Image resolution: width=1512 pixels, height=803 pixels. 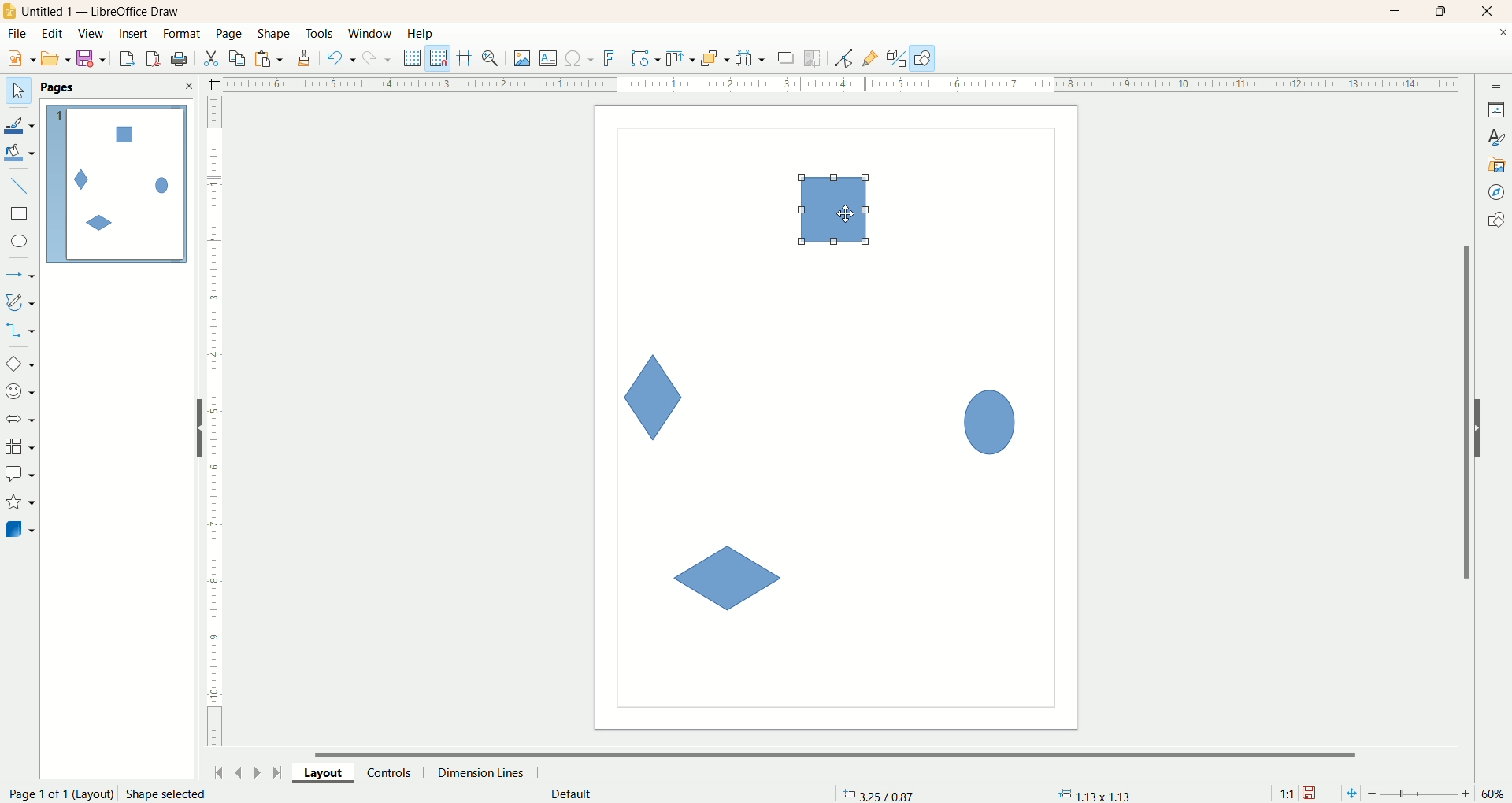 I want to click on unselected shape, so click(x=990, y=419).